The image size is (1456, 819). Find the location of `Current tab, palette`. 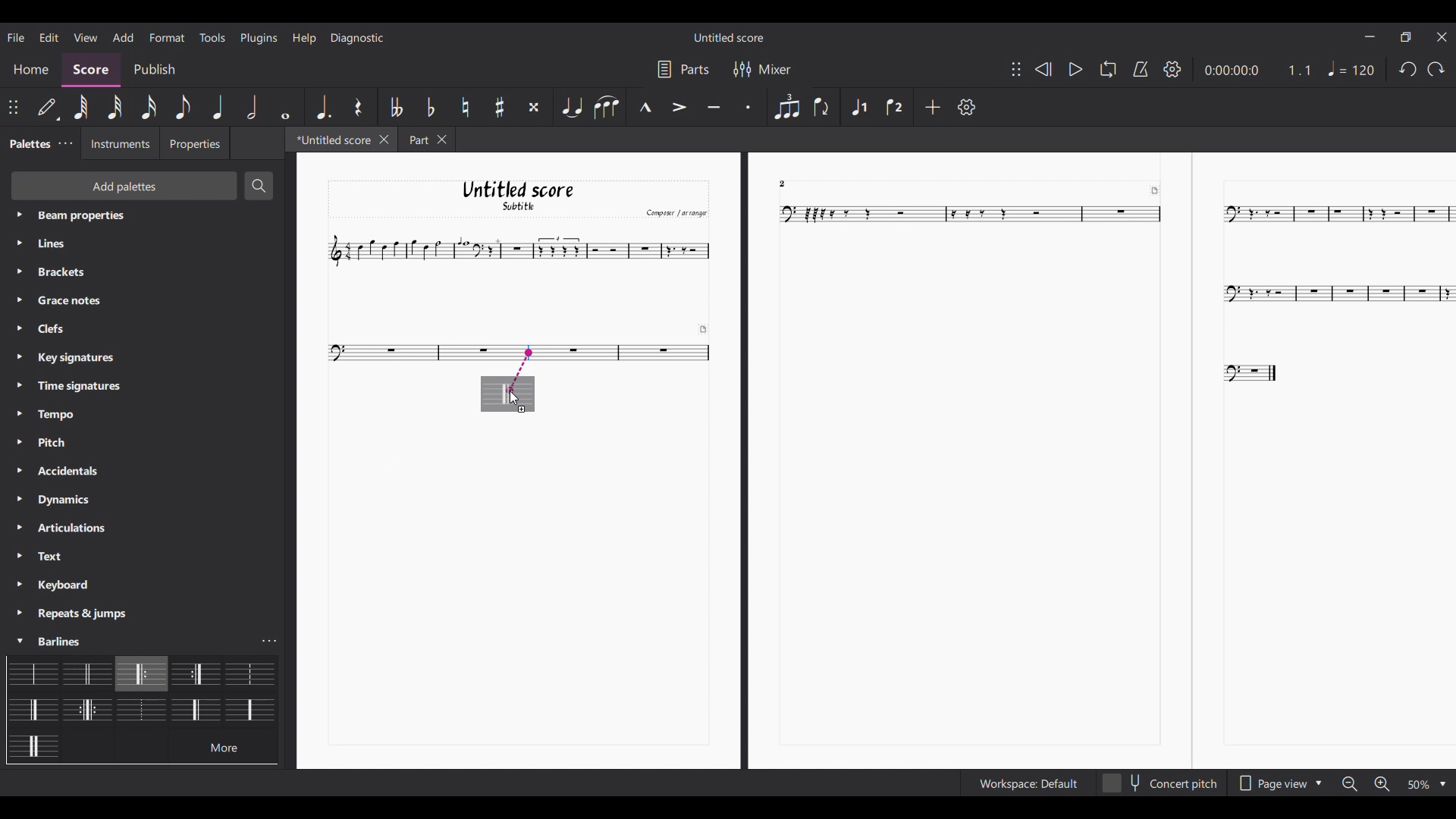

Current tab, palette is located at coordinates (29, 143).